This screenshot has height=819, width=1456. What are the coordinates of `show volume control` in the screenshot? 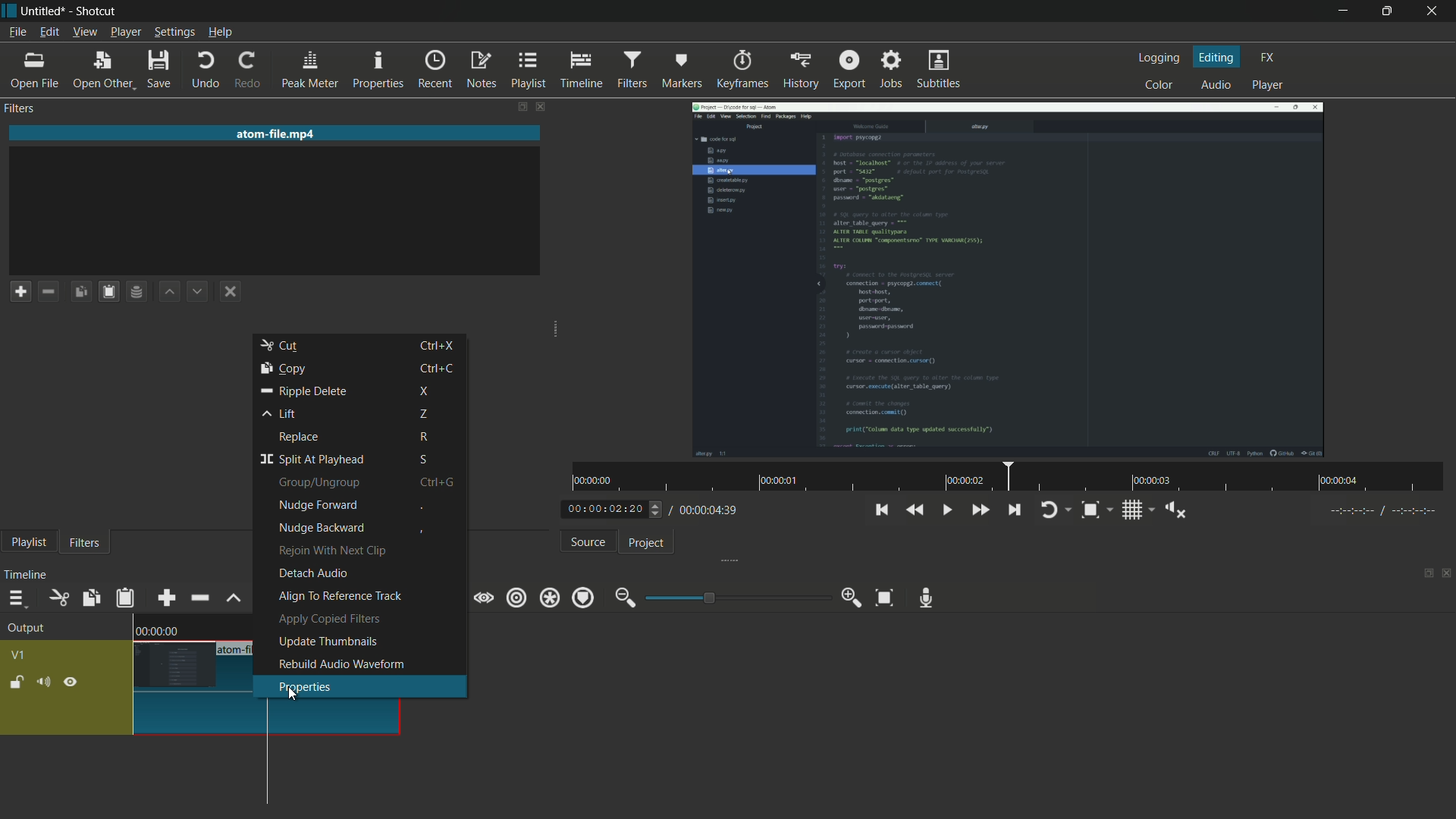 It's located at (1171, 510).